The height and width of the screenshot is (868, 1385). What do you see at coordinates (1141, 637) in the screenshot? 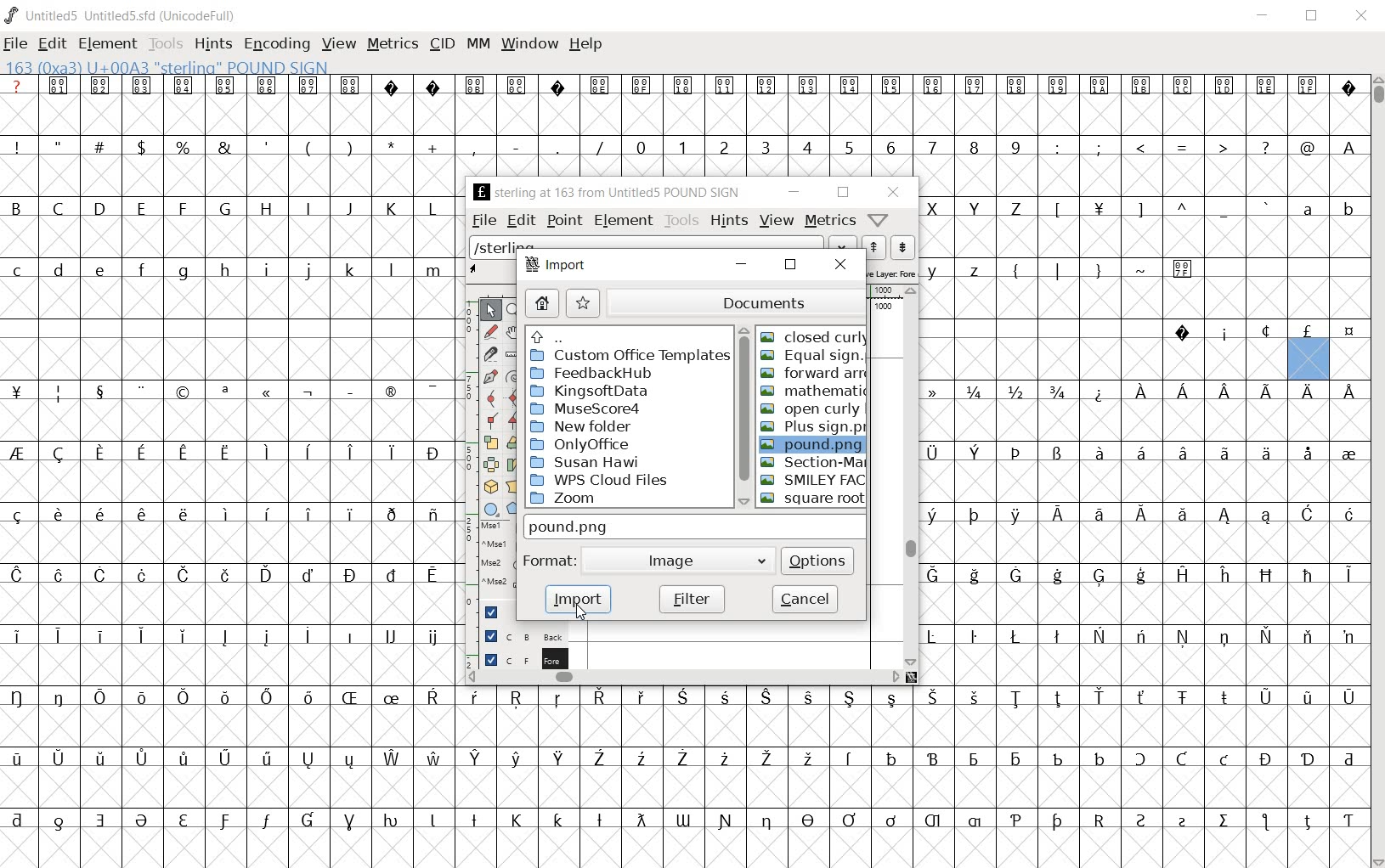
I see `Symbol` at bounding box center [1141, 637].